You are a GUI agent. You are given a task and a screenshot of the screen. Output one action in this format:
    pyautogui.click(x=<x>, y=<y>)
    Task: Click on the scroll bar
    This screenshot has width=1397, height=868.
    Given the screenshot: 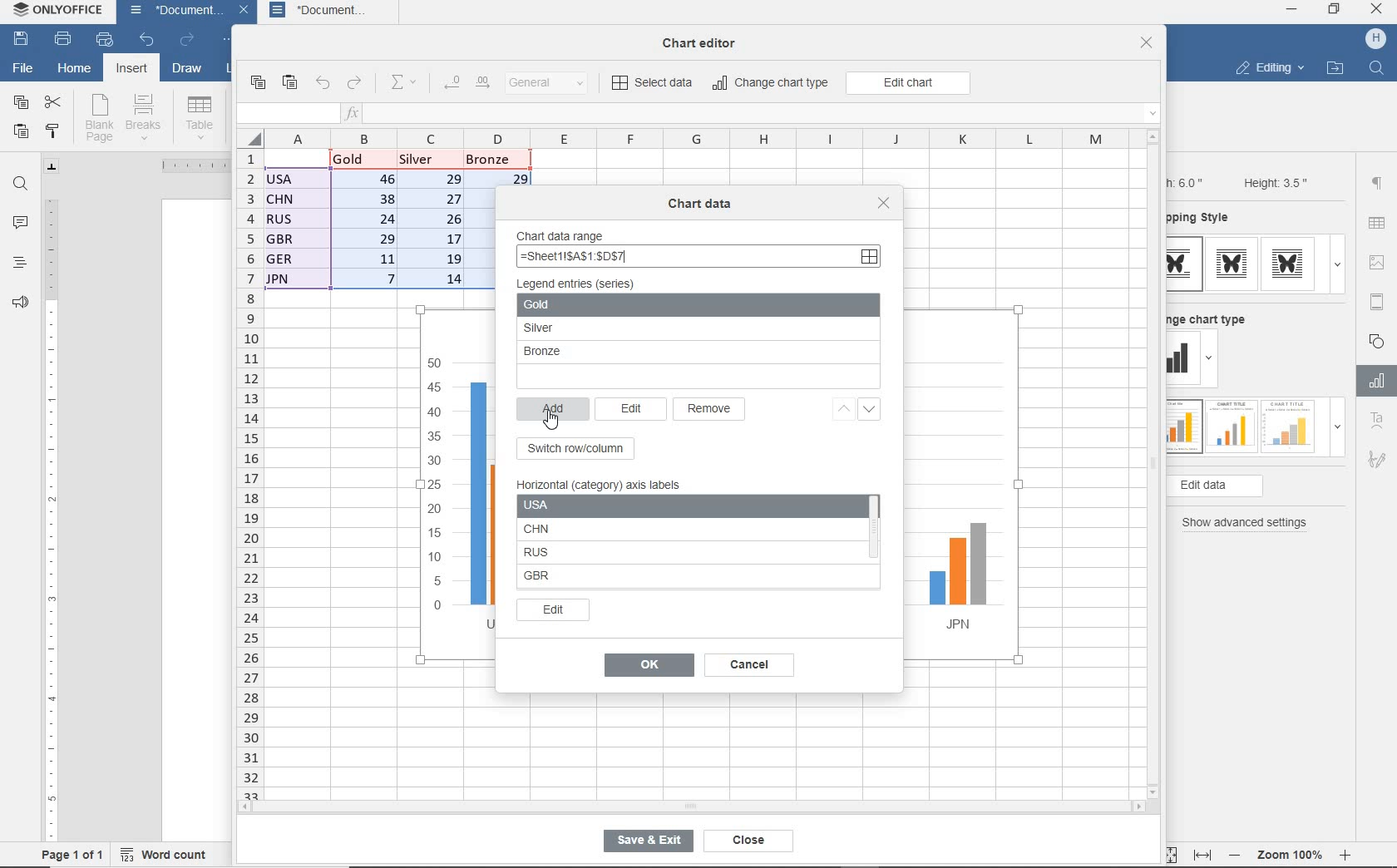 What is the action you would take?
    pyautogui.click(x=879, y=540)
    